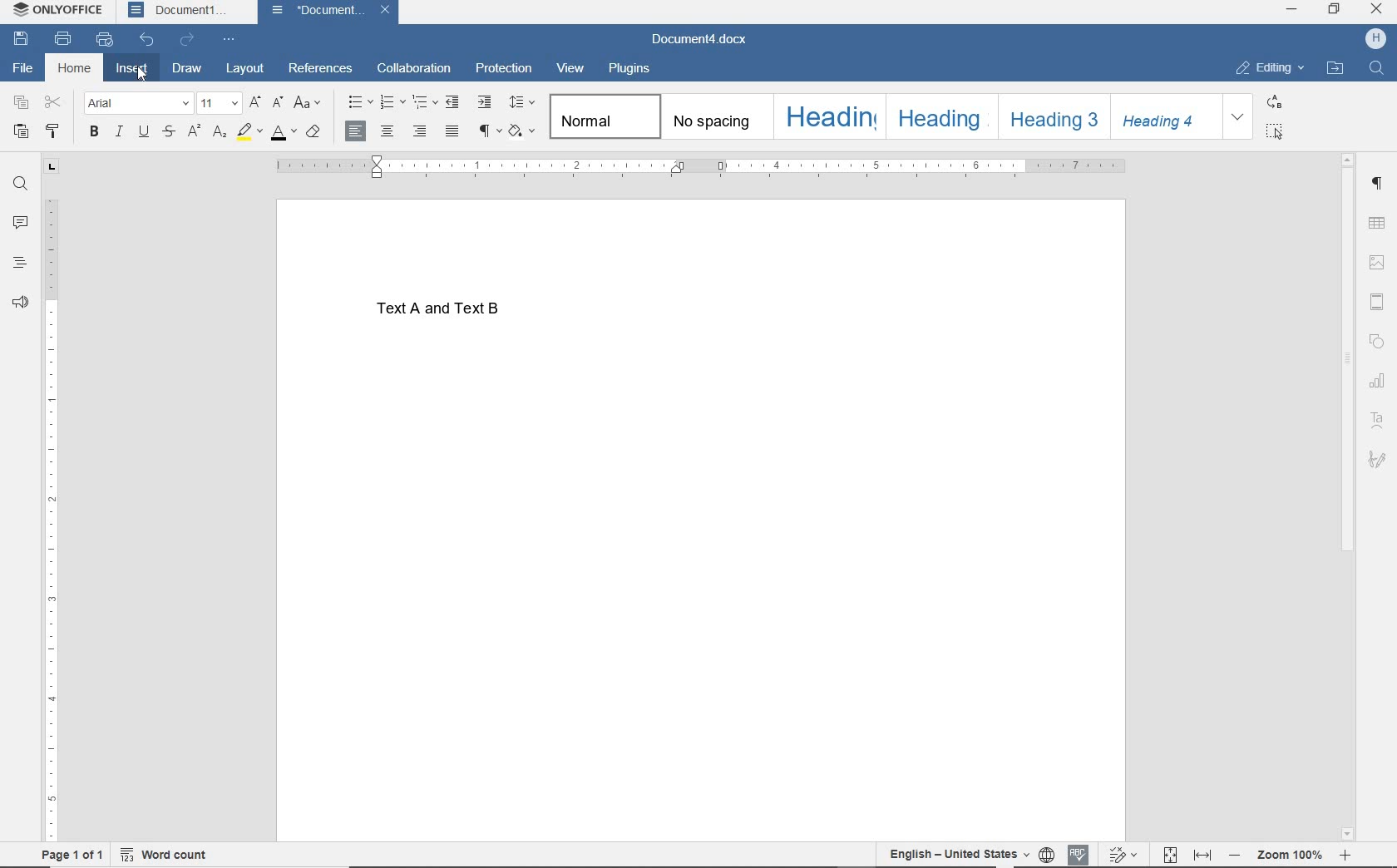 The width and height of the screenshot is (1397, 868). Describe the element at coordinates (18, 40) in the screenshot. I see `SAV` at that location.